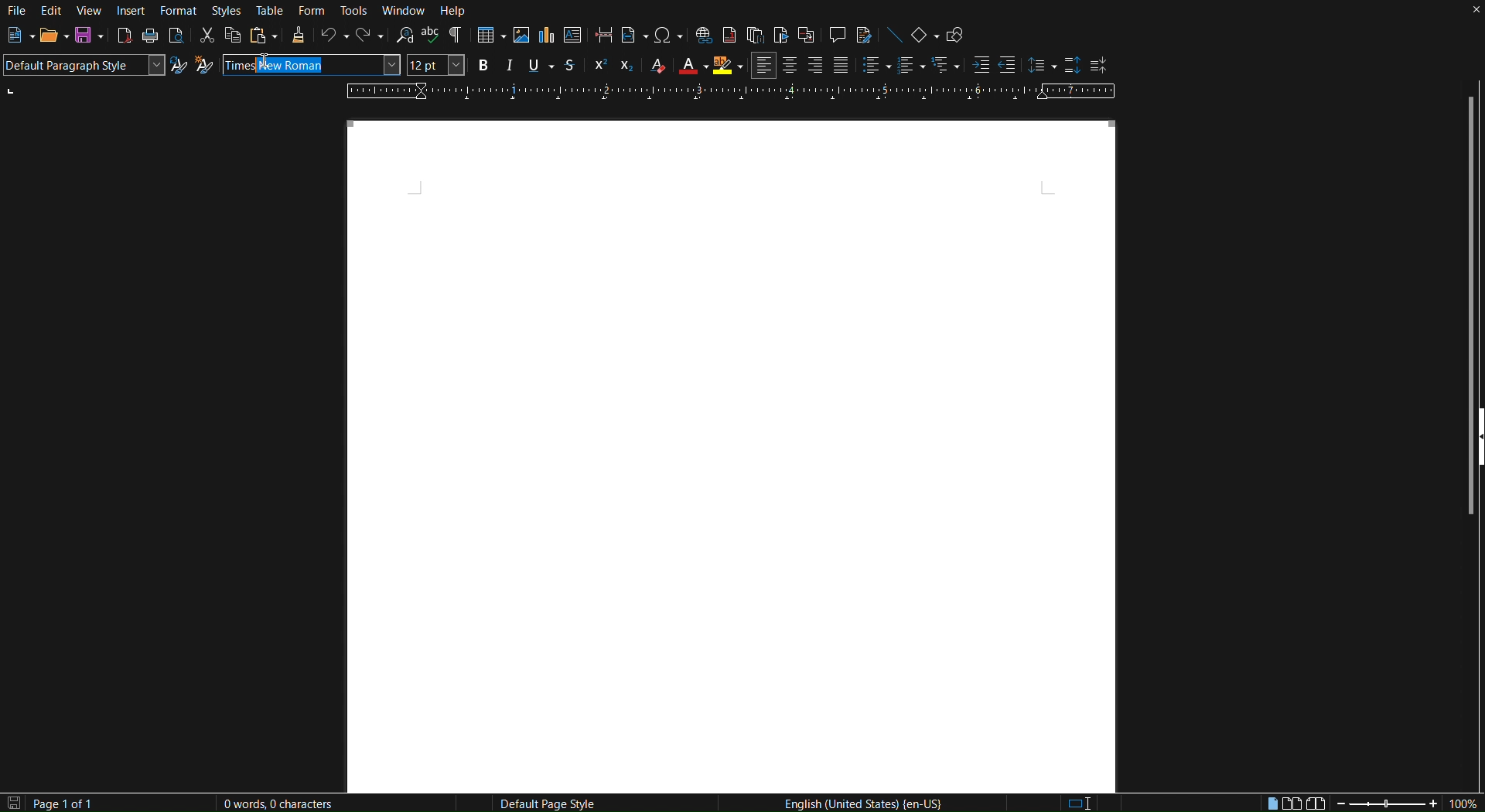  Describe the element at coordinates (131, 11) in the screenshot. I see `Insert` at that location.